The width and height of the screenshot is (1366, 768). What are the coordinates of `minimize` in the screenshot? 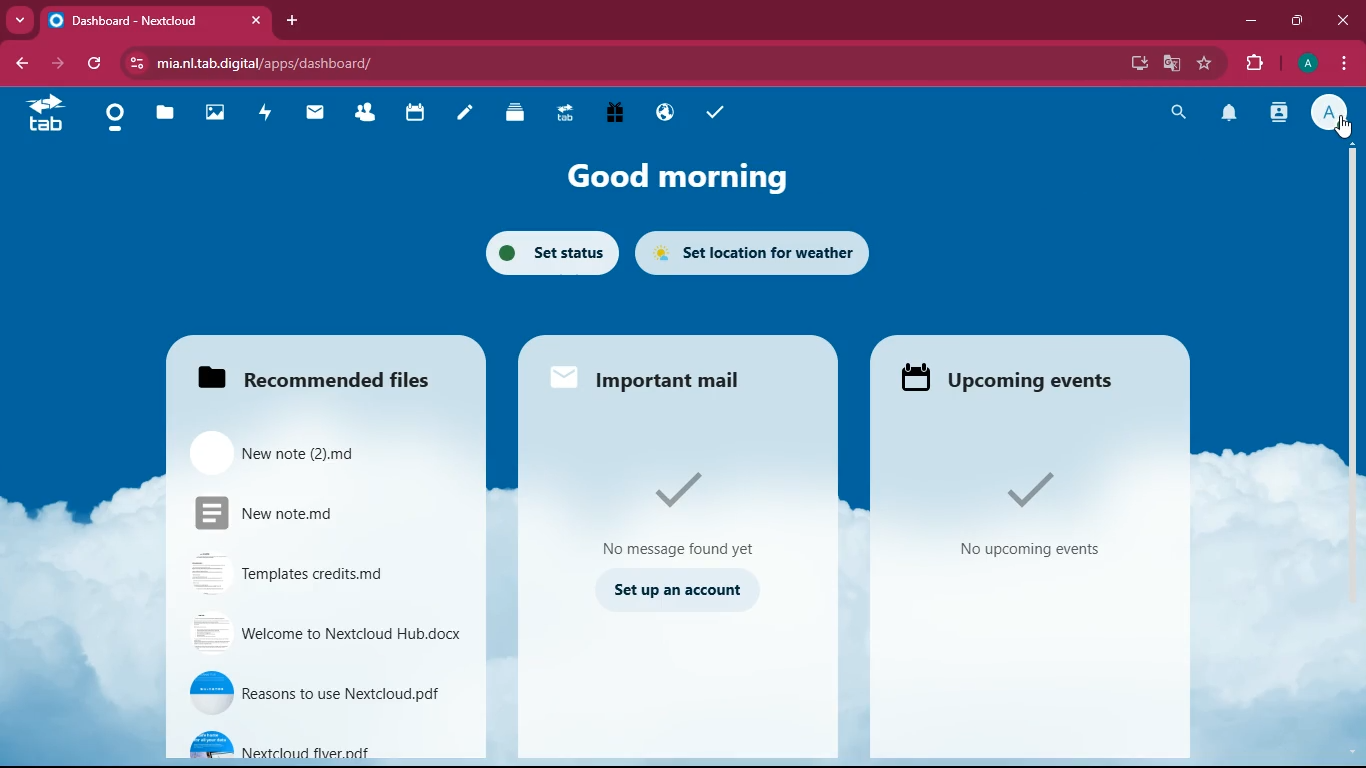 It's located at (1251, 22).